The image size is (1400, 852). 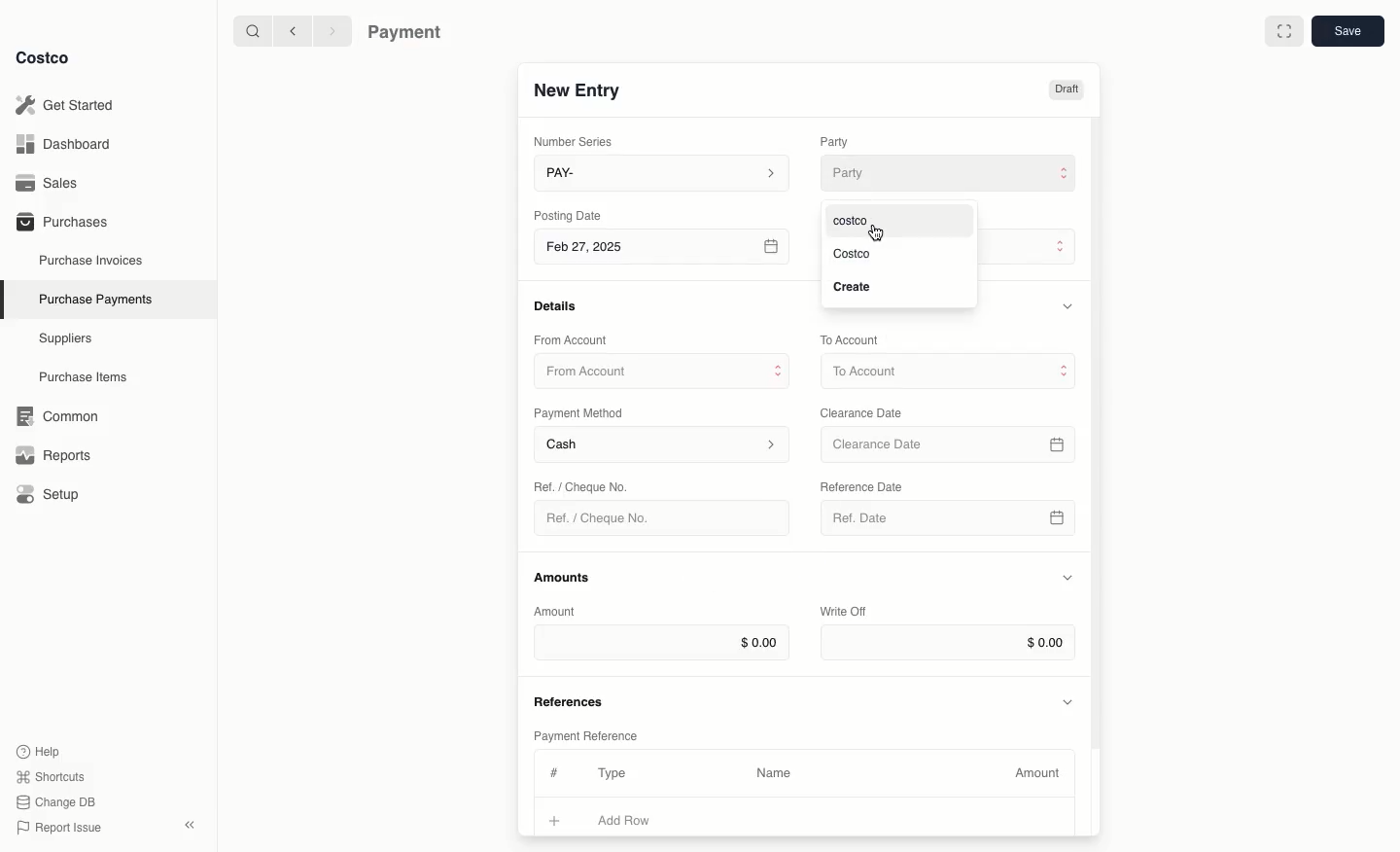 What do you see at coordinates (69, 105) in the screenshot?
I see `Get Started` at bounding box center [69, 105].